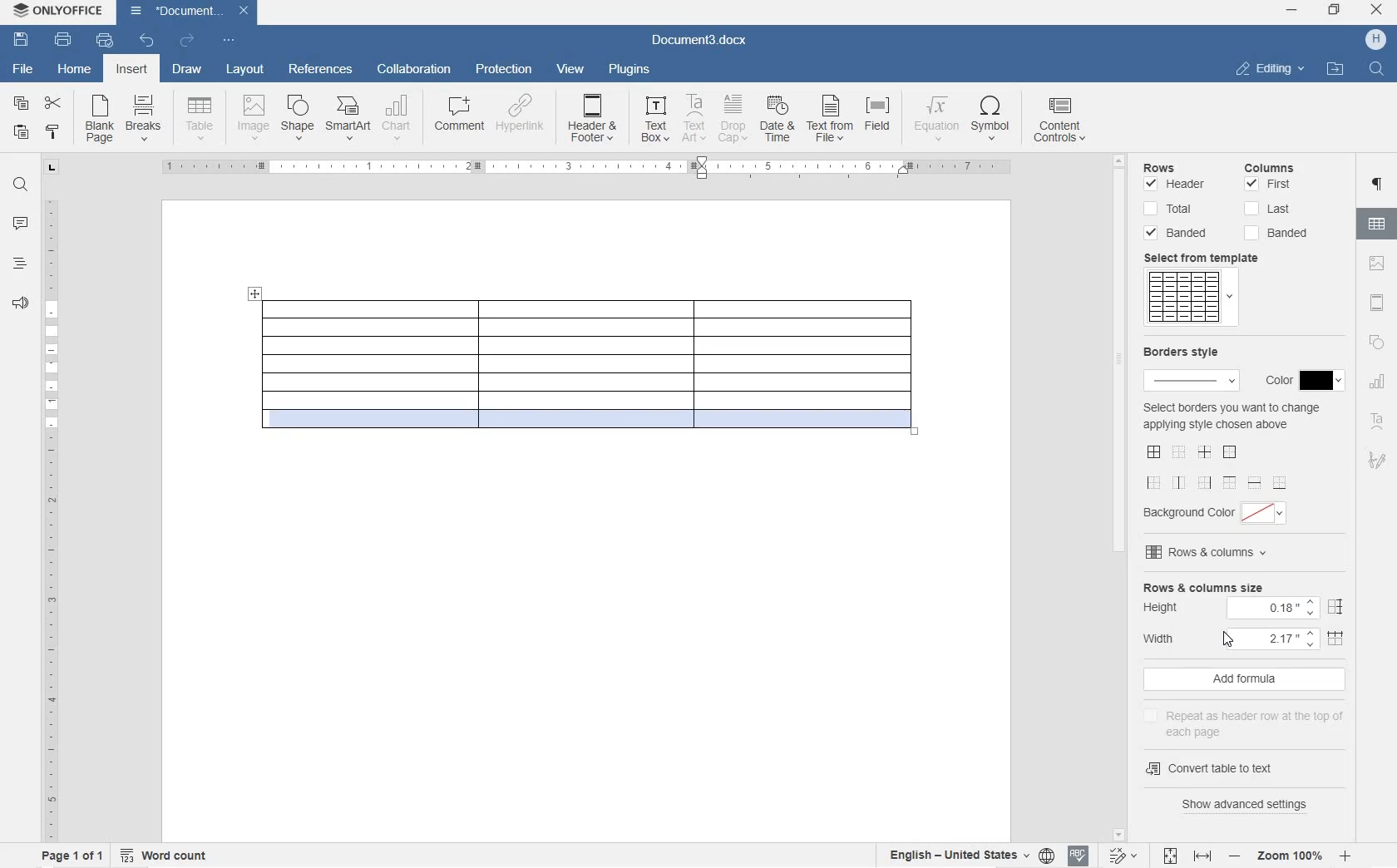 This screenshot has height=868, width=1397. I want to click on select from template, so click(1212, 258).